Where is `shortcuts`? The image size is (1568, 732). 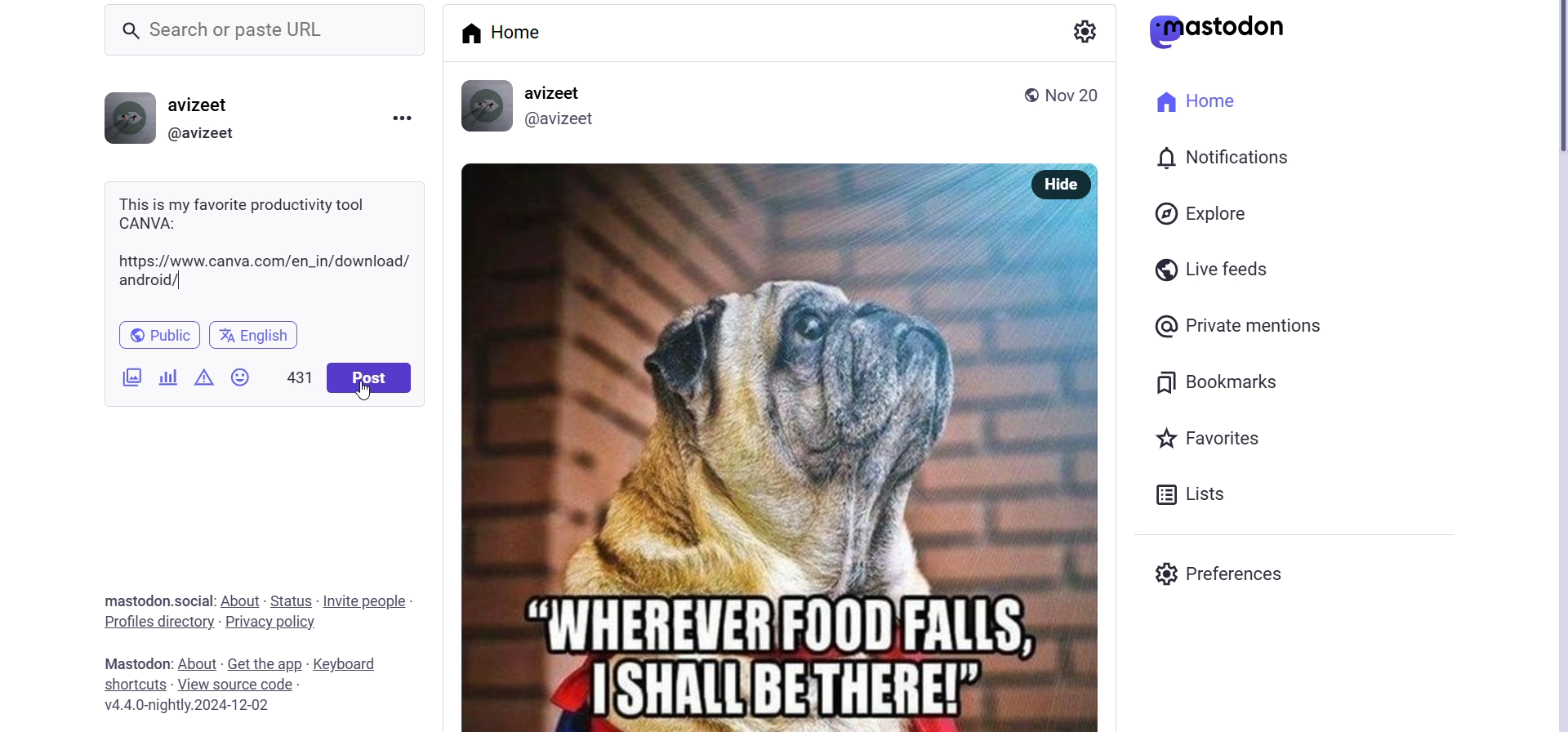
shortcuts is located at coordinates (126, 685).